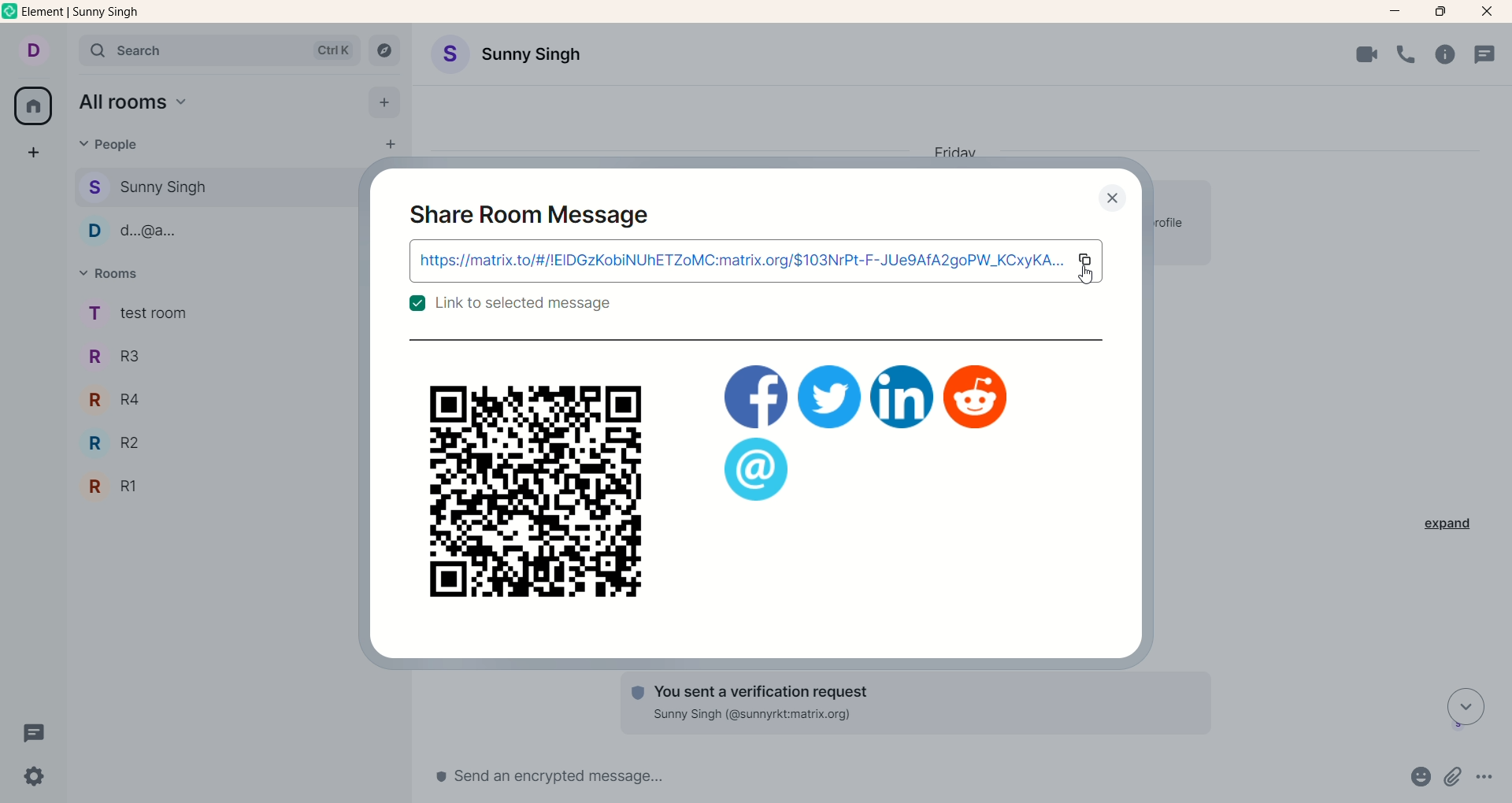 The height and width of the screenshot is (803, 1512). I want to click on close, so click(1117, 199).